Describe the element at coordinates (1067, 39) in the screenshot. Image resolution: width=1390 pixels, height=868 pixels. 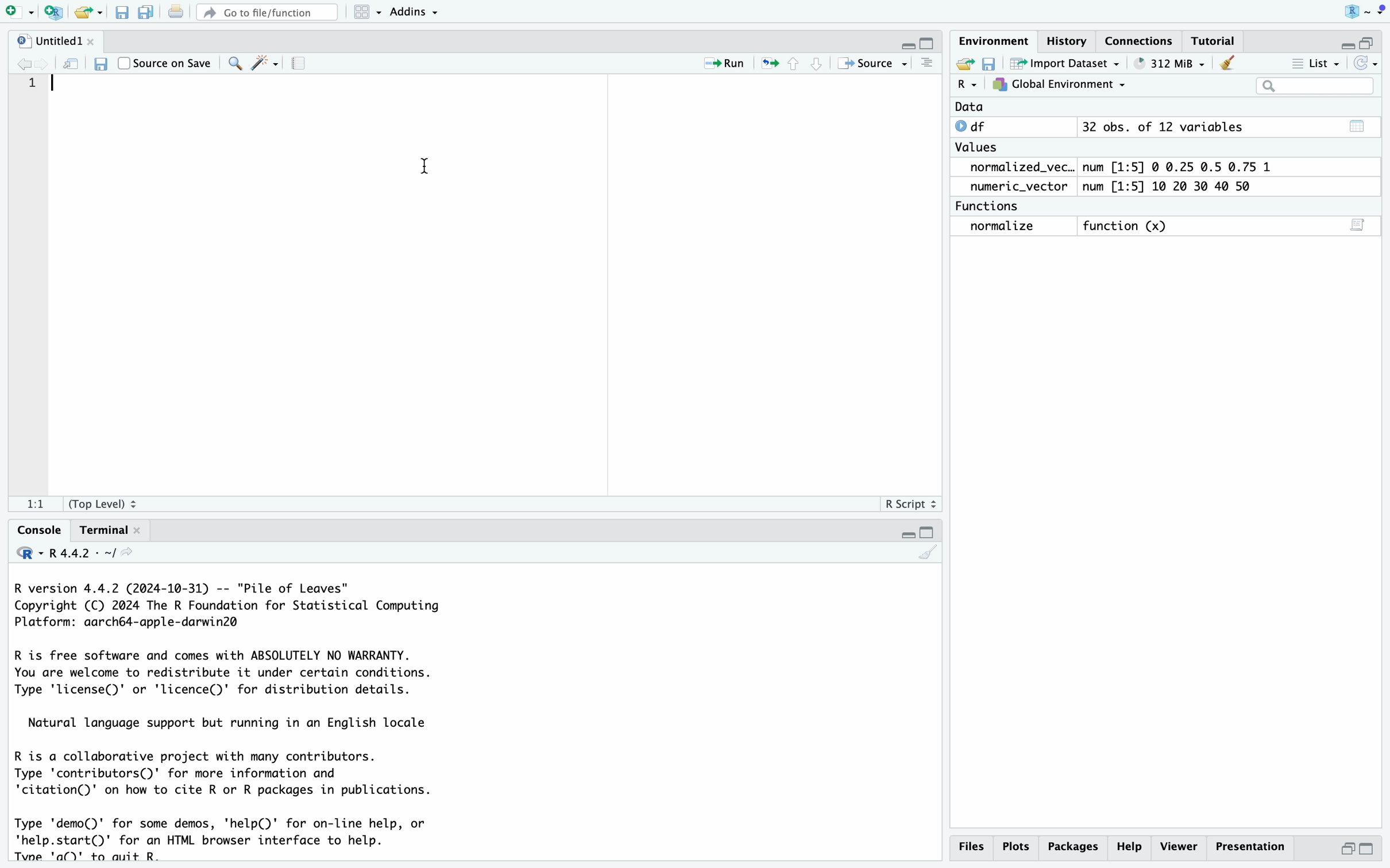
I see `History` at that location.